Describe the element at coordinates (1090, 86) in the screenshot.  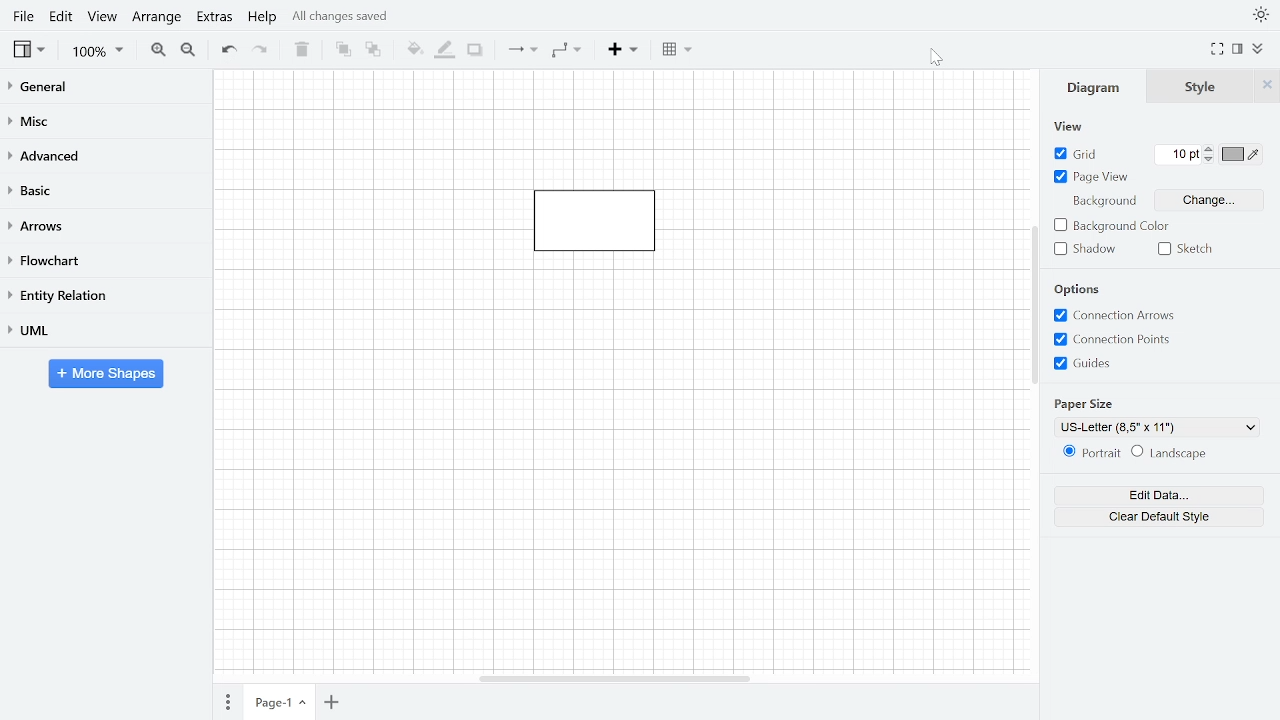
I see `Diagram` at that location.